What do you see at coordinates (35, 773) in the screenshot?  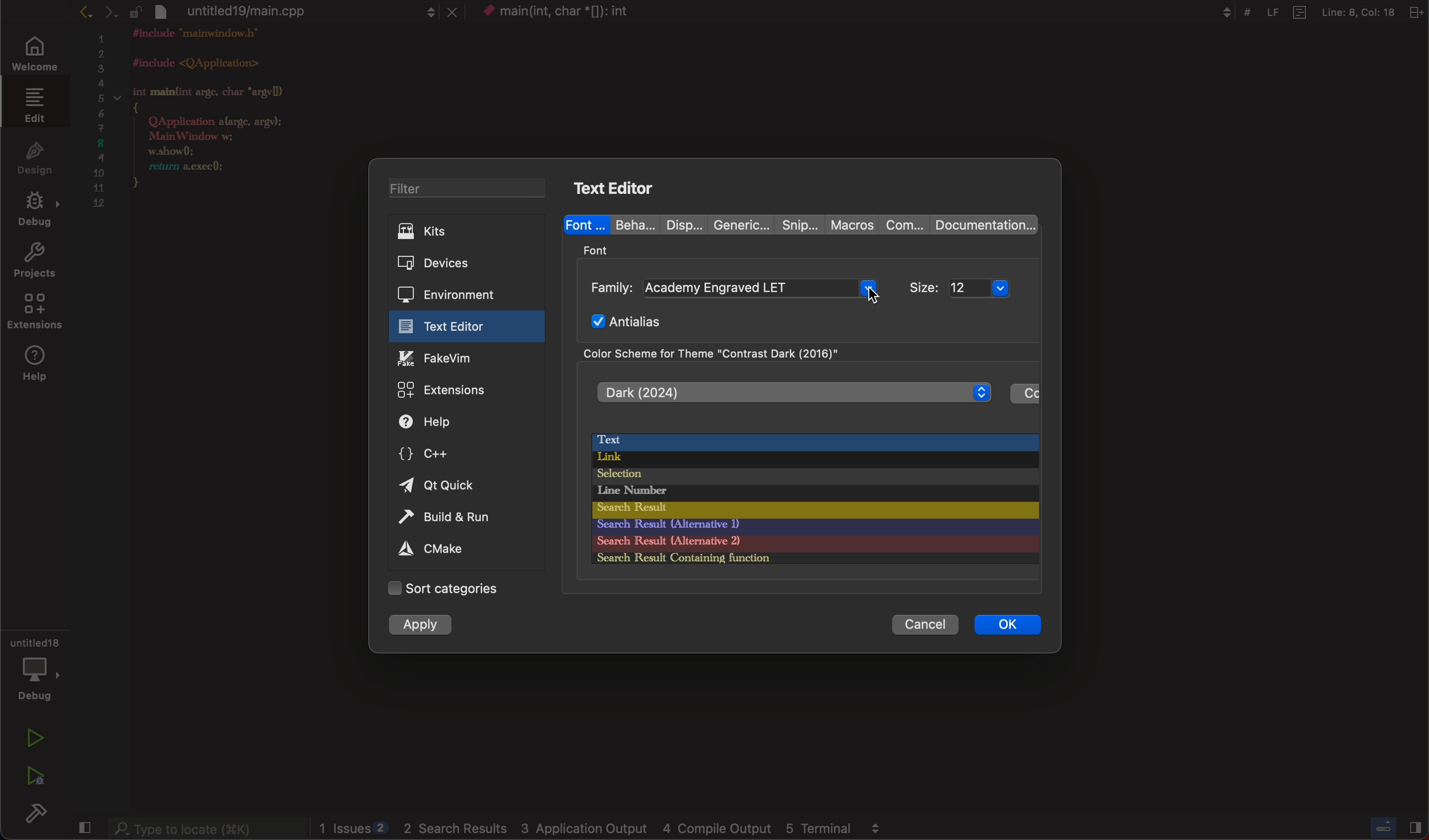 I see `run debug` at bounding box center [35, 773].